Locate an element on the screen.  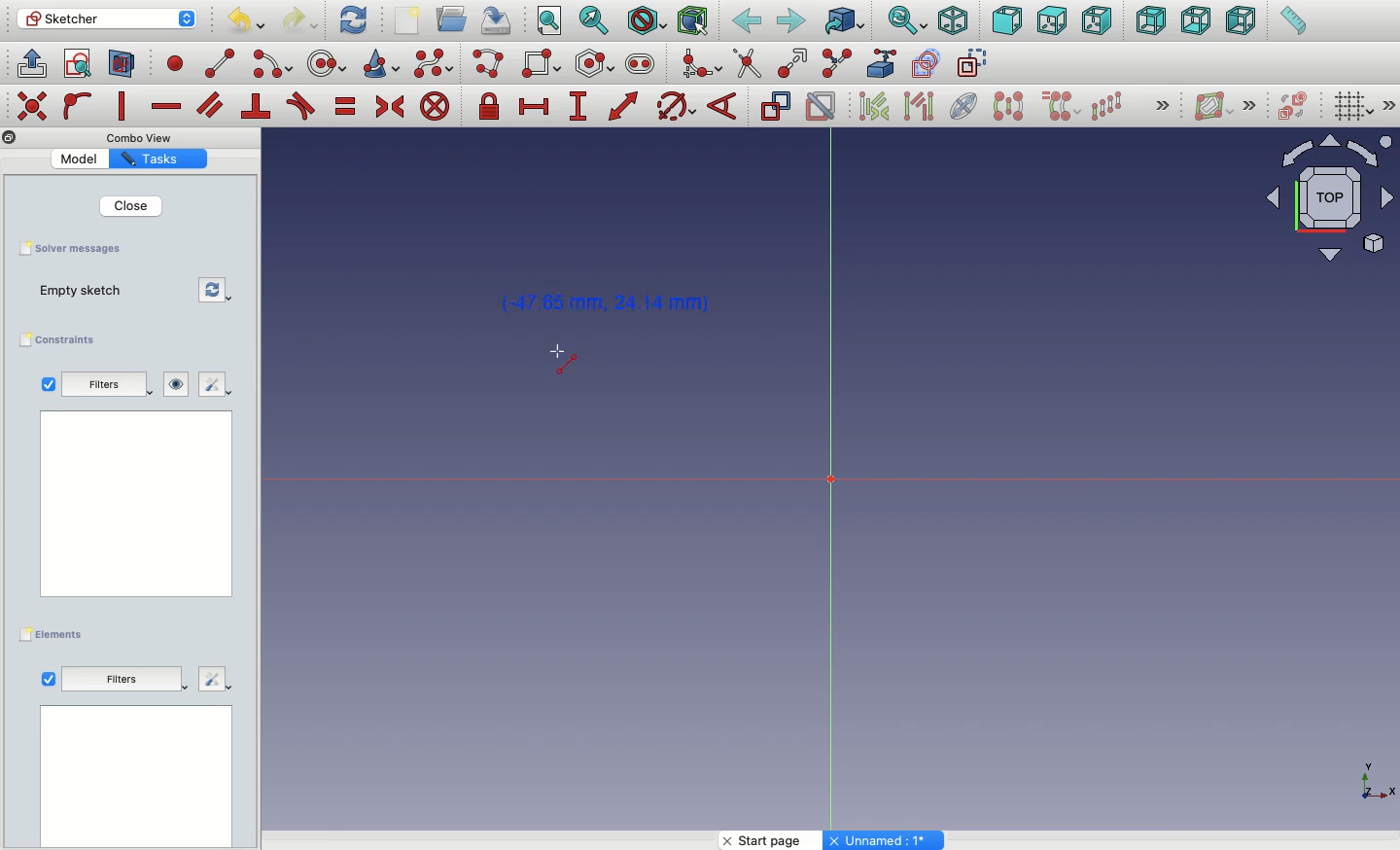
Coordinates is located at coordinates (612, 305).